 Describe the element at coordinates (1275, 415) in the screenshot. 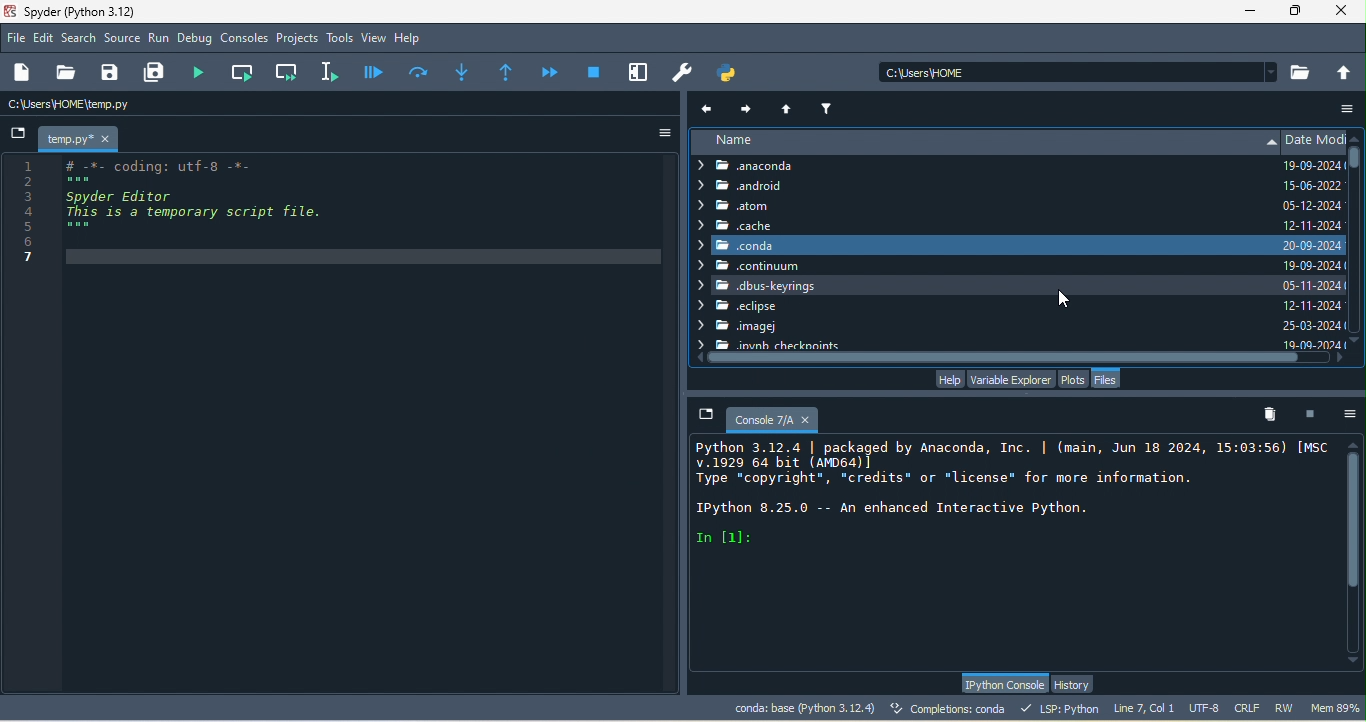

I see `remove all` at that location.